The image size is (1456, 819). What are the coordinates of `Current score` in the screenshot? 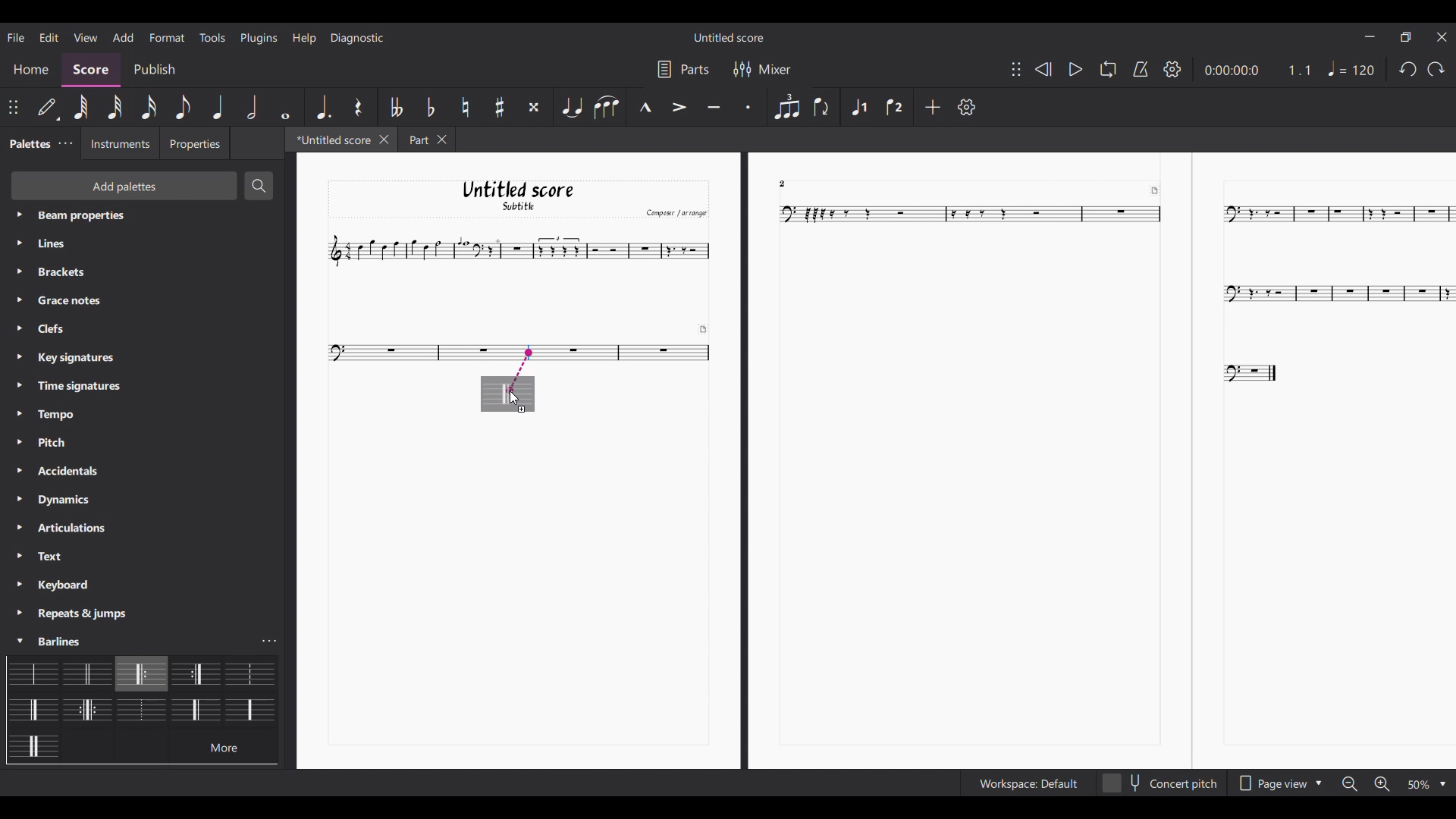 It's located at (876, 462).